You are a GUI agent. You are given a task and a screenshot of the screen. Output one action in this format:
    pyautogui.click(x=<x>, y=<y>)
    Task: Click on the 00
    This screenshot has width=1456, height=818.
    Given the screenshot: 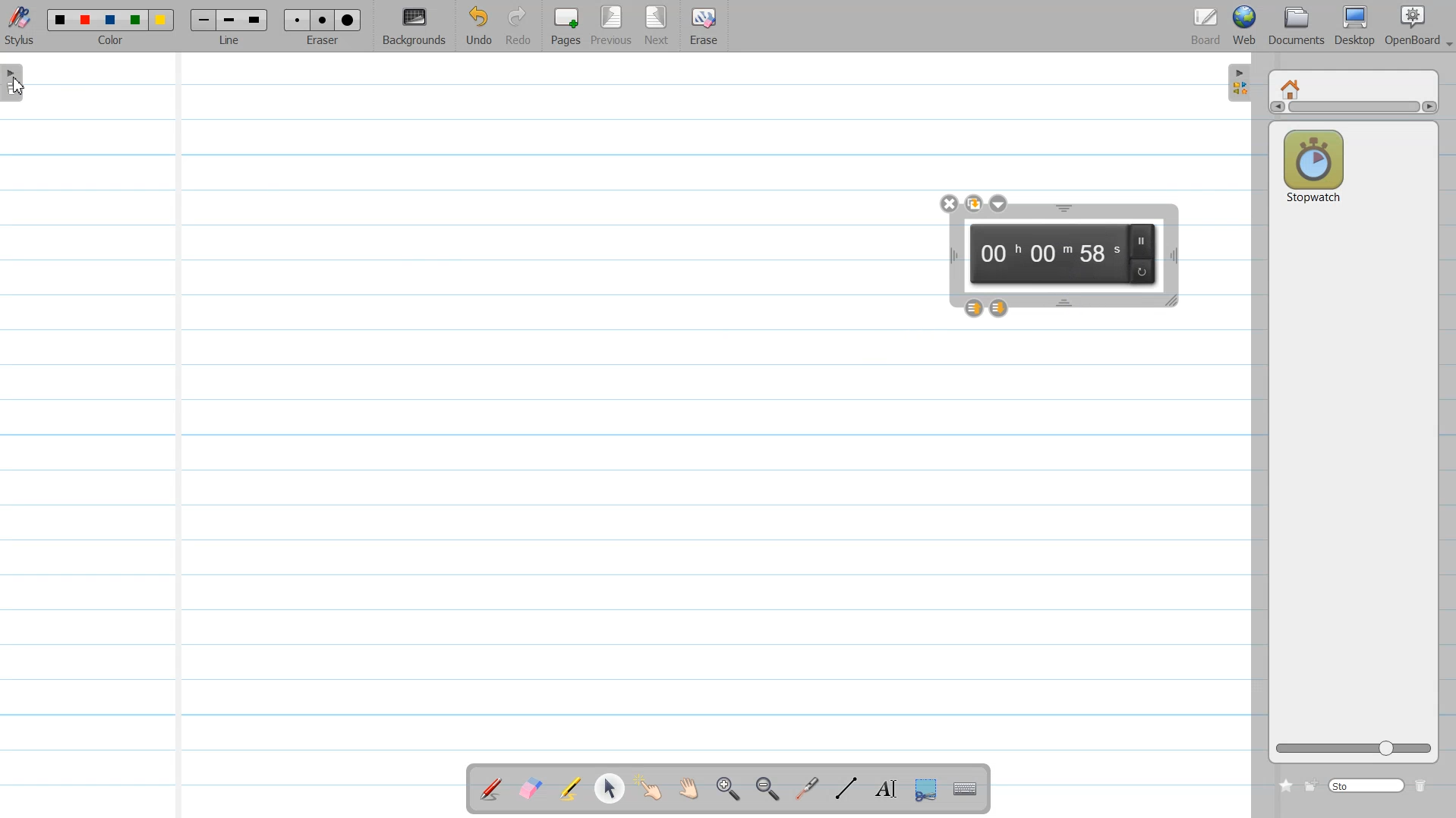 What is the action you would take?
    pyautogui.click(x=997, y=254)
    